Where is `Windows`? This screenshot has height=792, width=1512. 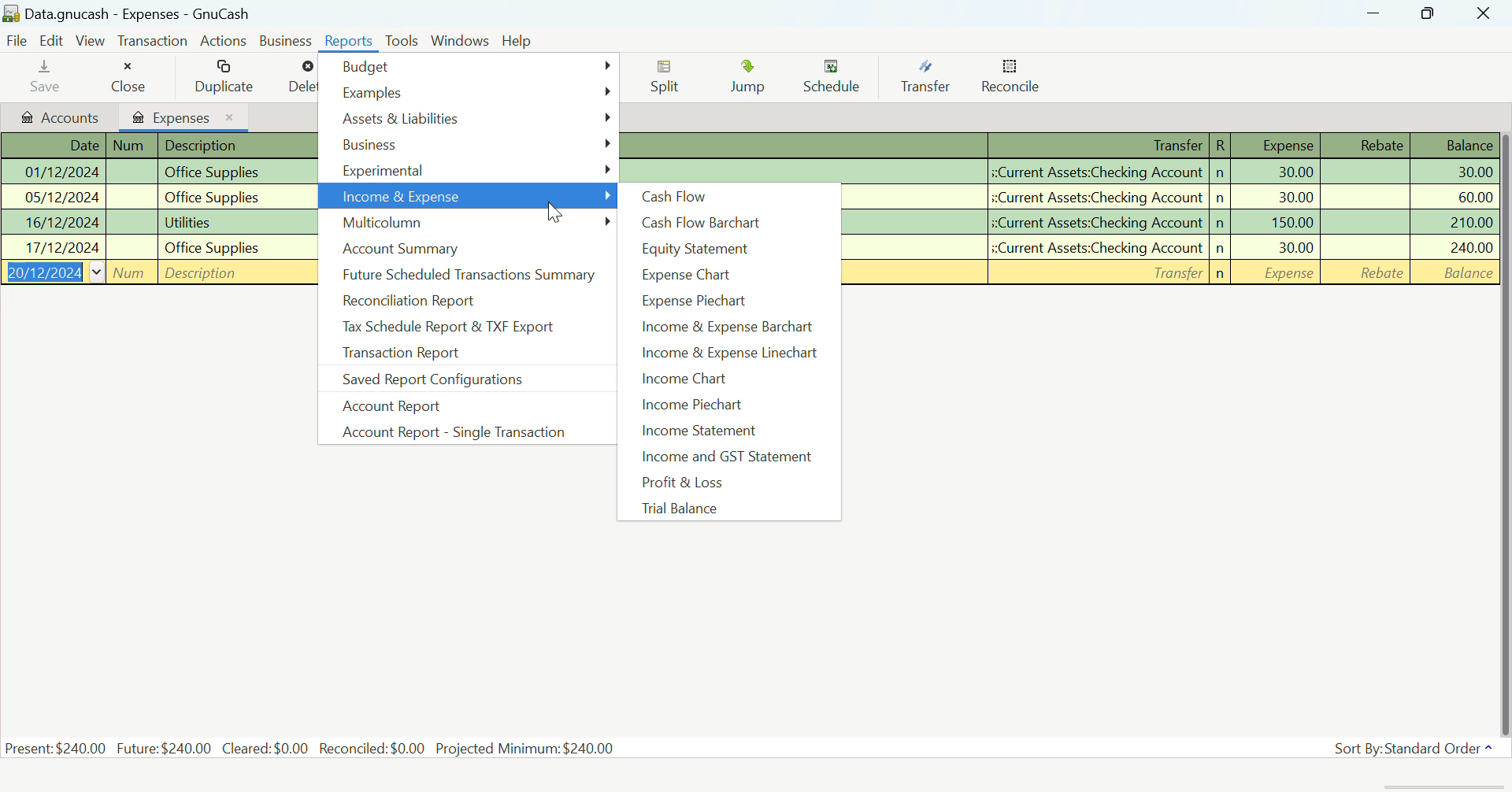 Windows is located at coordinates (460, 40).